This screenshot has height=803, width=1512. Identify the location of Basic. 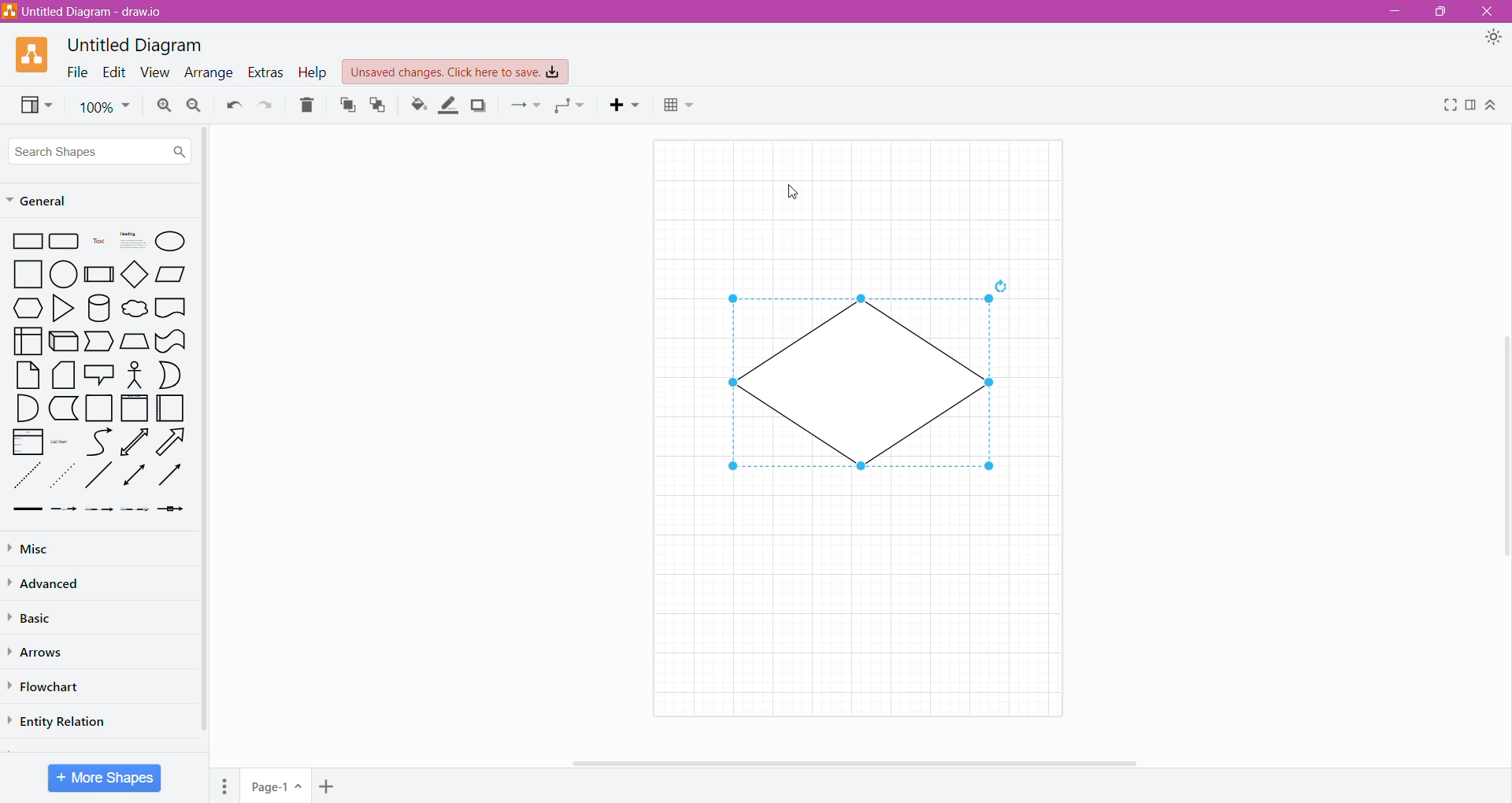
(35, 616).